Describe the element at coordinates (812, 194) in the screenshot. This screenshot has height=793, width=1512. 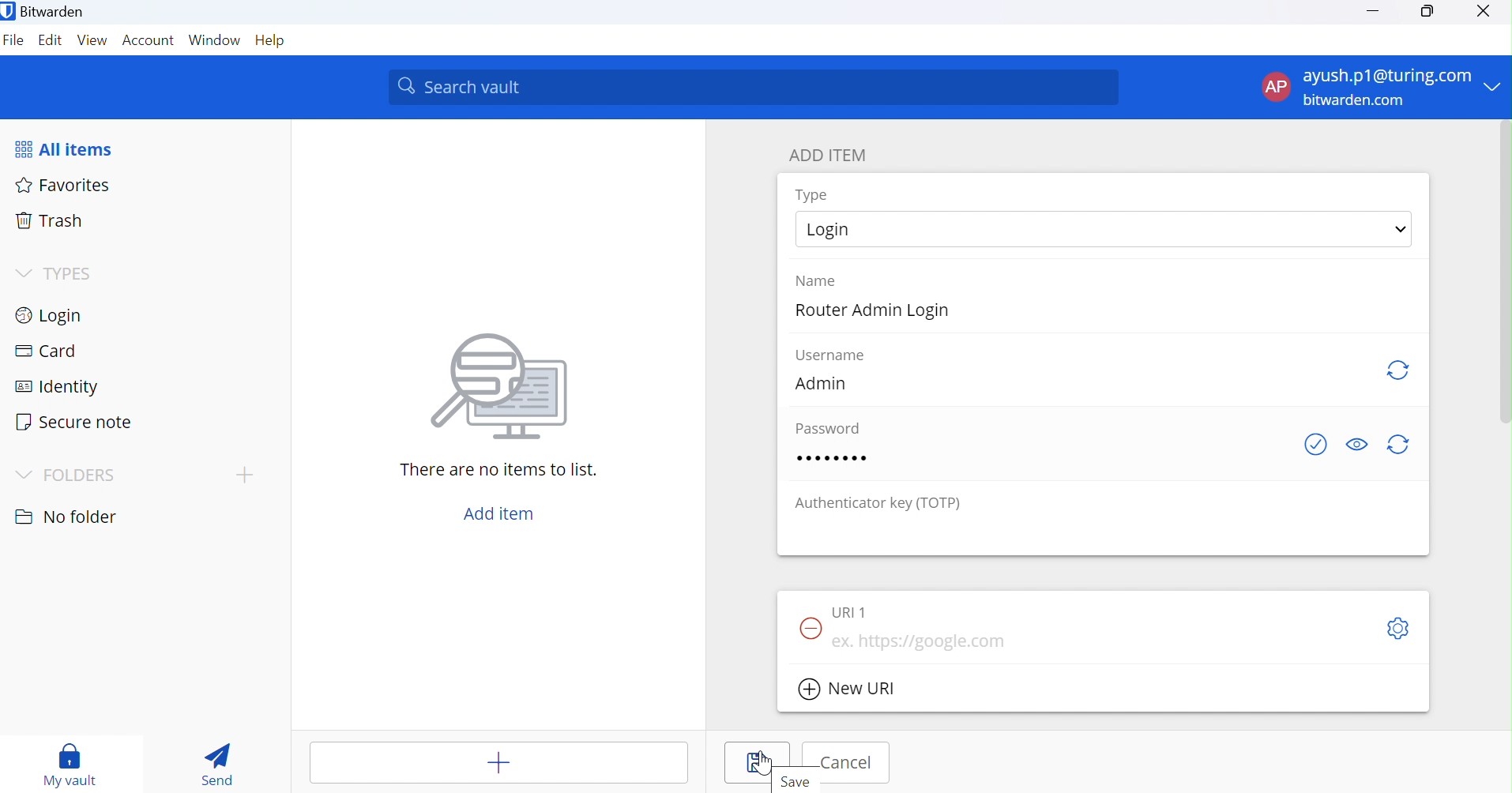
I see `Type` at that location.